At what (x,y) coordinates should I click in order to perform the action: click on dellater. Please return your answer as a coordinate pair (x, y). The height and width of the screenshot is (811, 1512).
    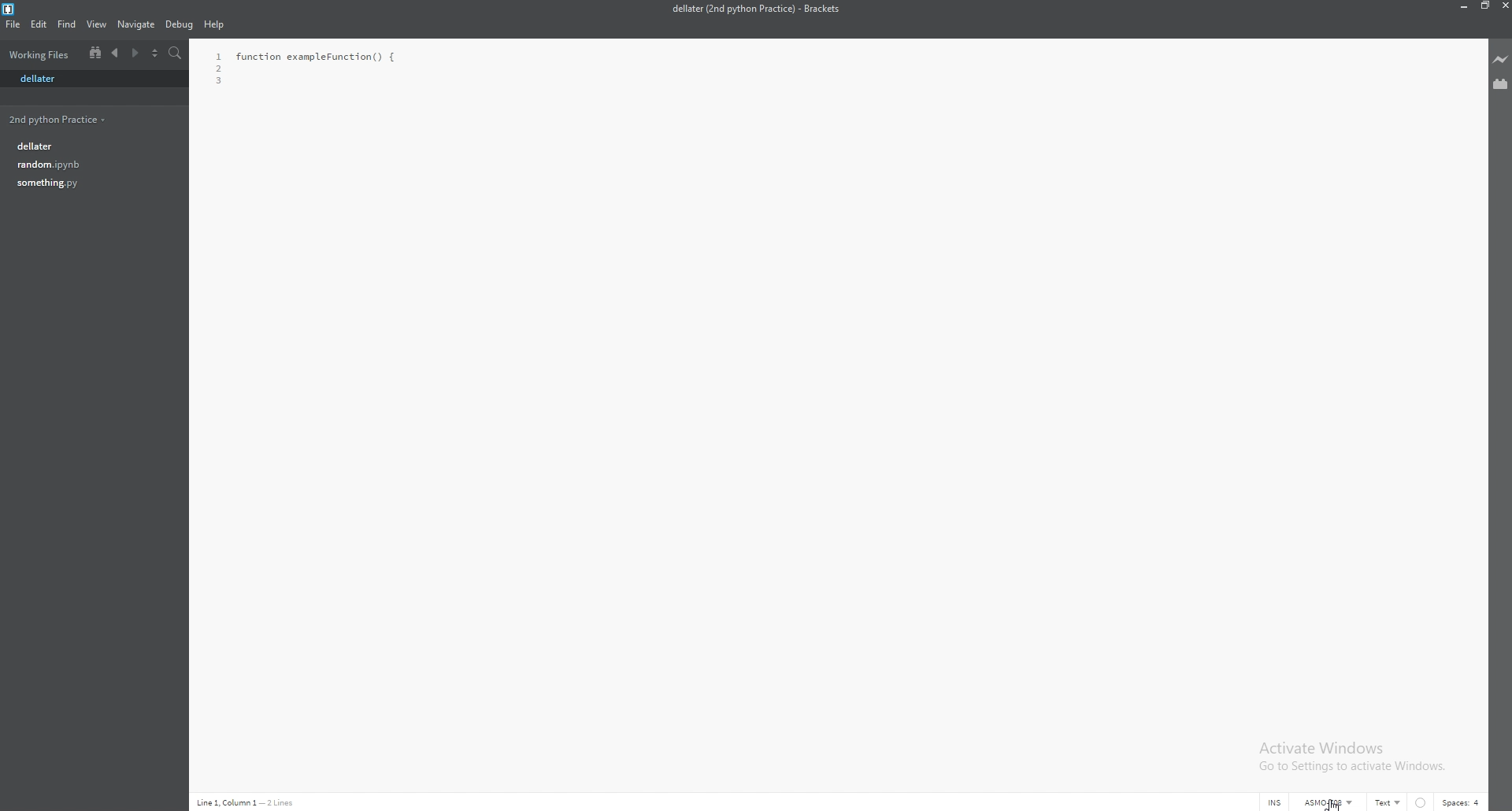
    Looking at the image, I should click on (88, 146).